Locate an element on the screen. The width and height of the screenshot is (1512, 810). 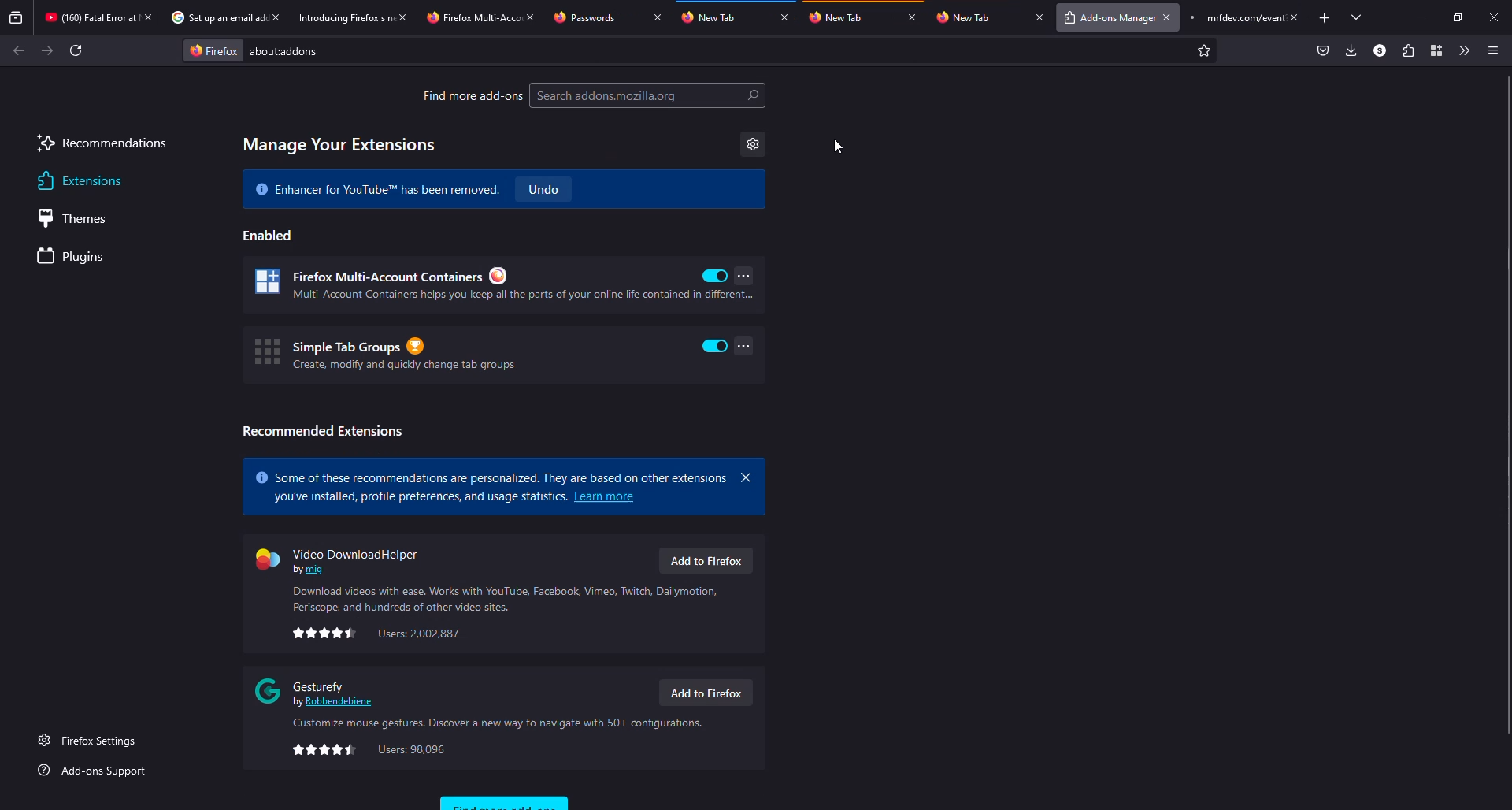
firefox settings is located at coordinates (91, 740).